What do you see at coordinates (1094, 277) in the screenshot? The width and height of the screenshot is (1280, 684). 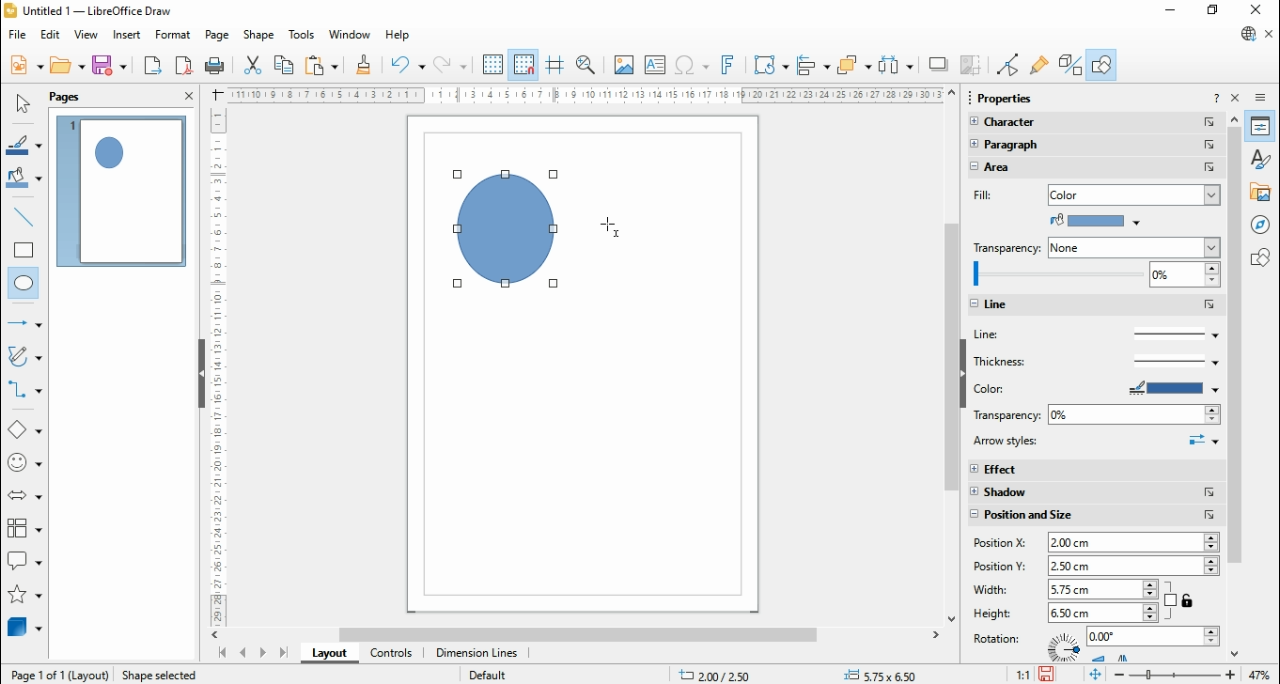 I see `zoom` at bounding box center [1094, 277].